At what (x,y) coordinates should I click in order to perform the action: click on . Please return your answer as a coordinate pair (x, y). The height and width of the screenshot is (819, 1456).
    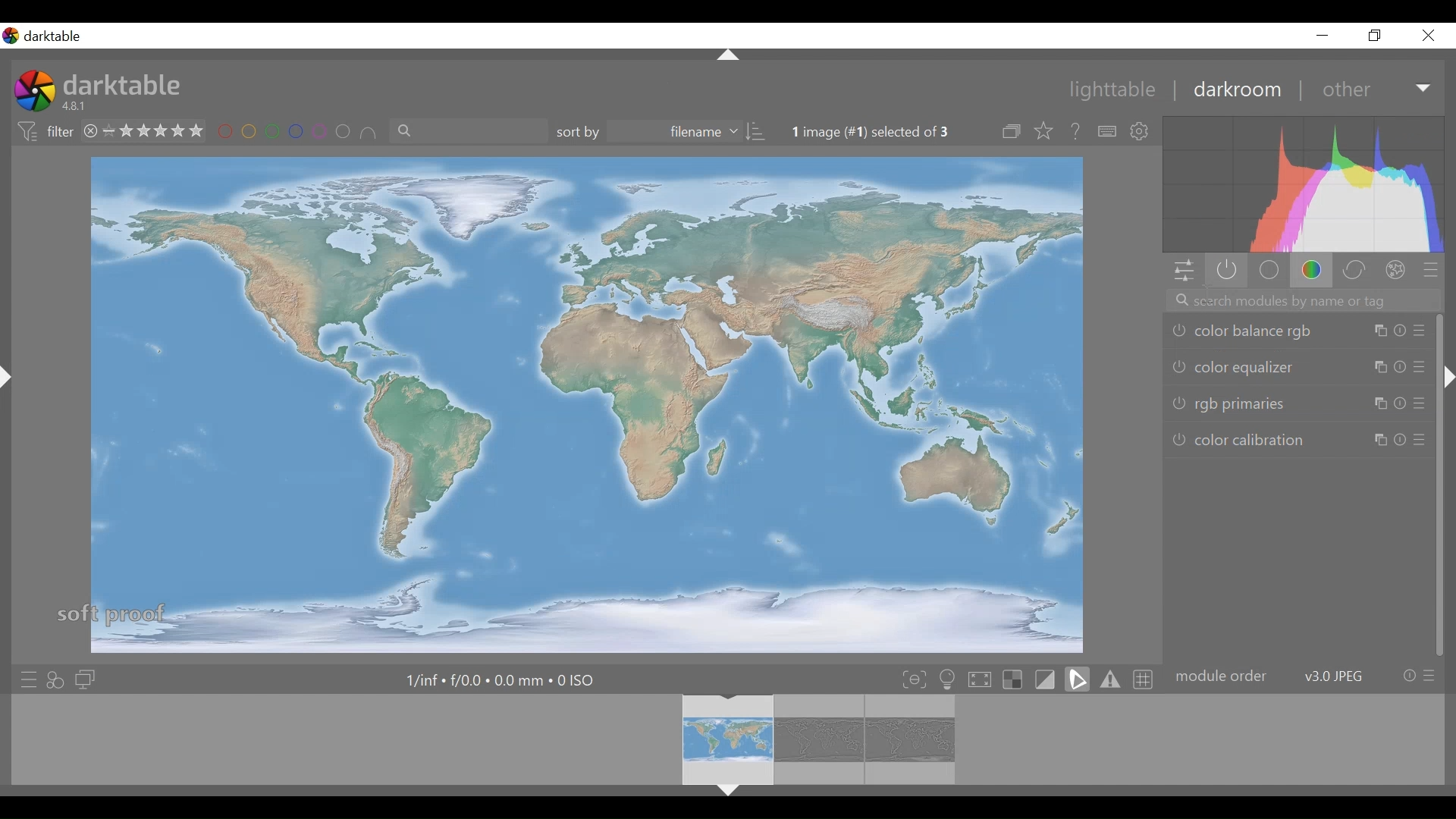
    Looking at the image, I should click on (728, 795).